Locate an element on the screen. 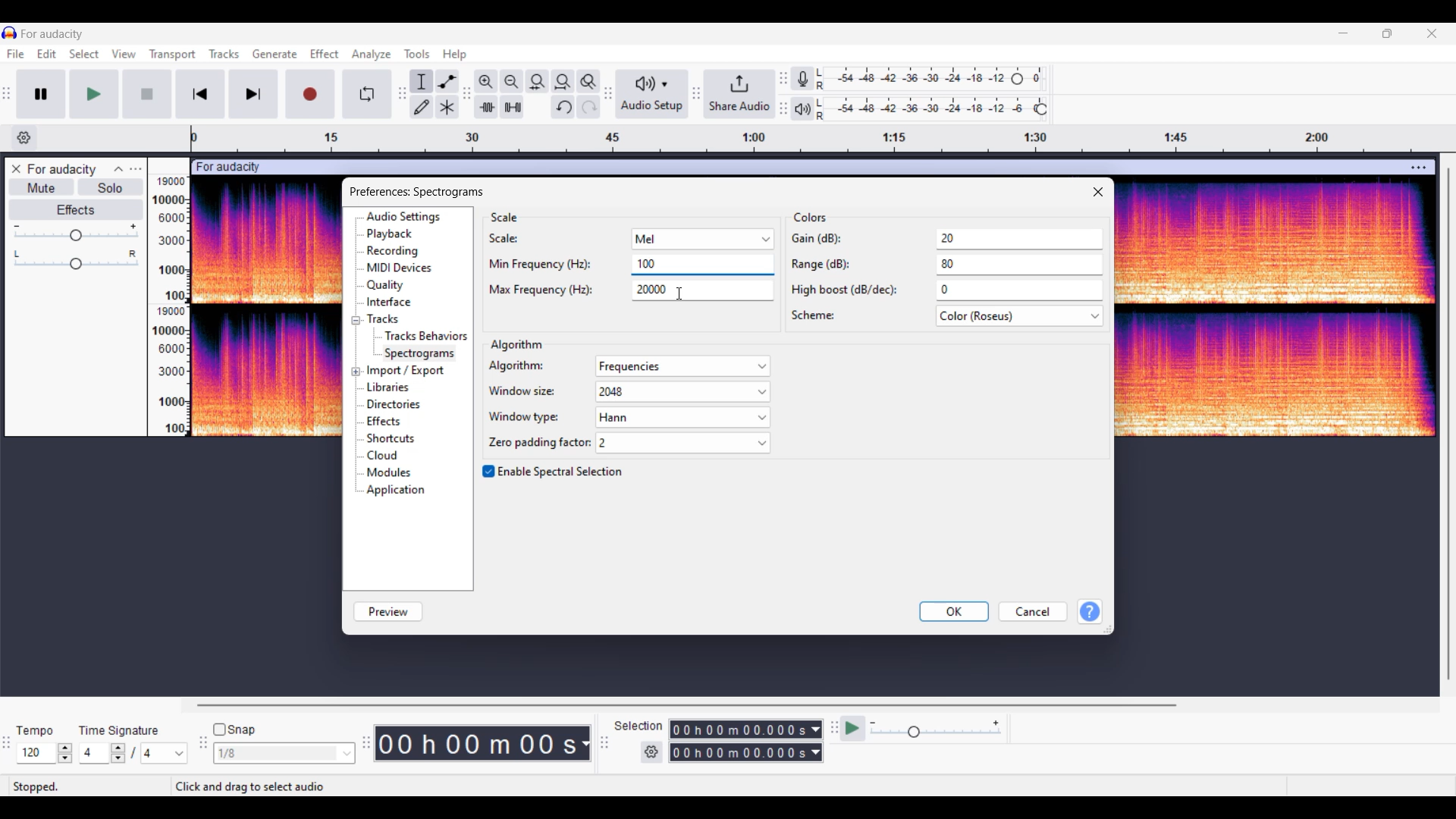 This screenshot has width=1456, height=819. midi devices is located at coordinates (400, 268).